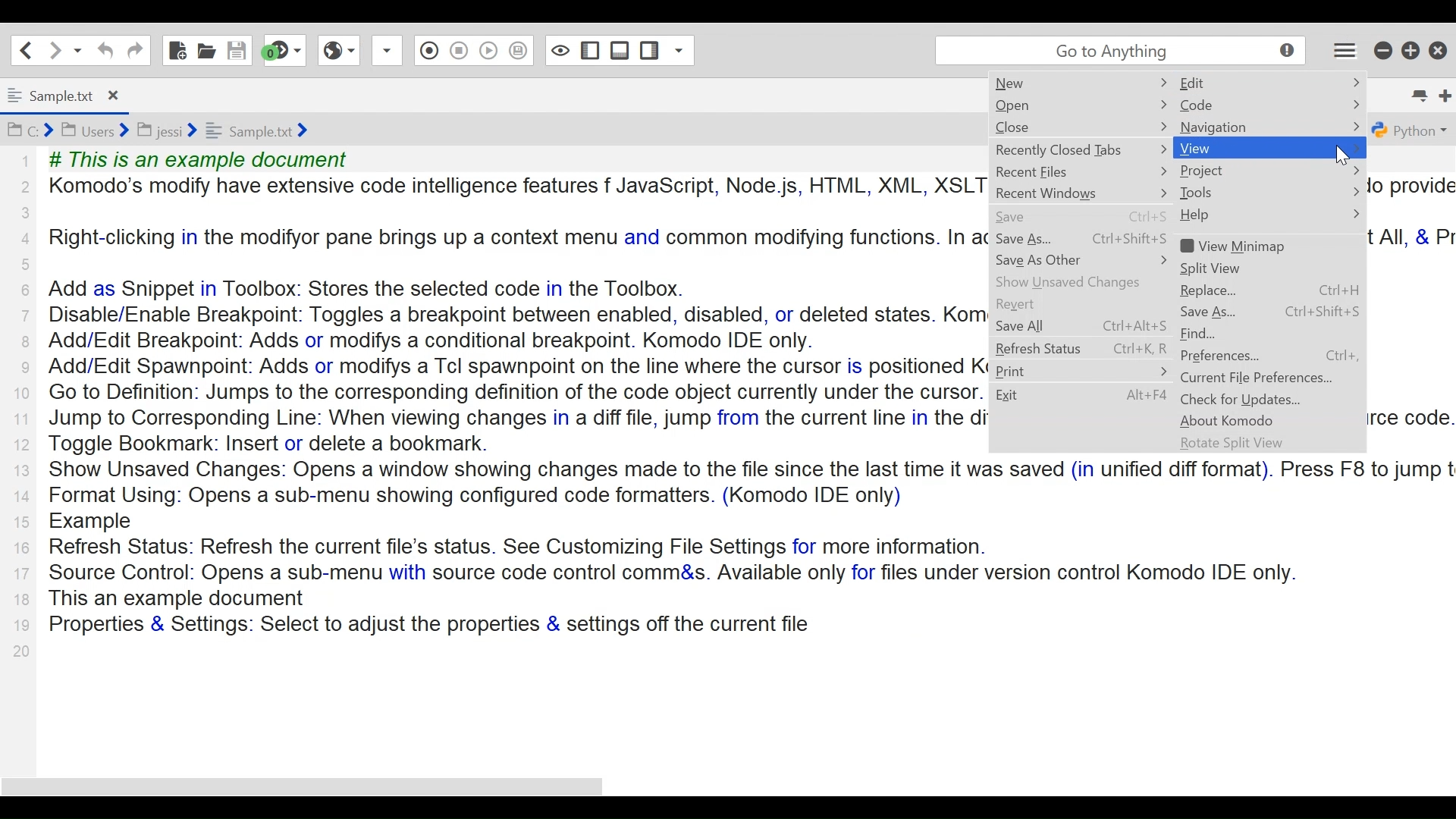  I want to click on Recent Windows, so click(1064, 194).